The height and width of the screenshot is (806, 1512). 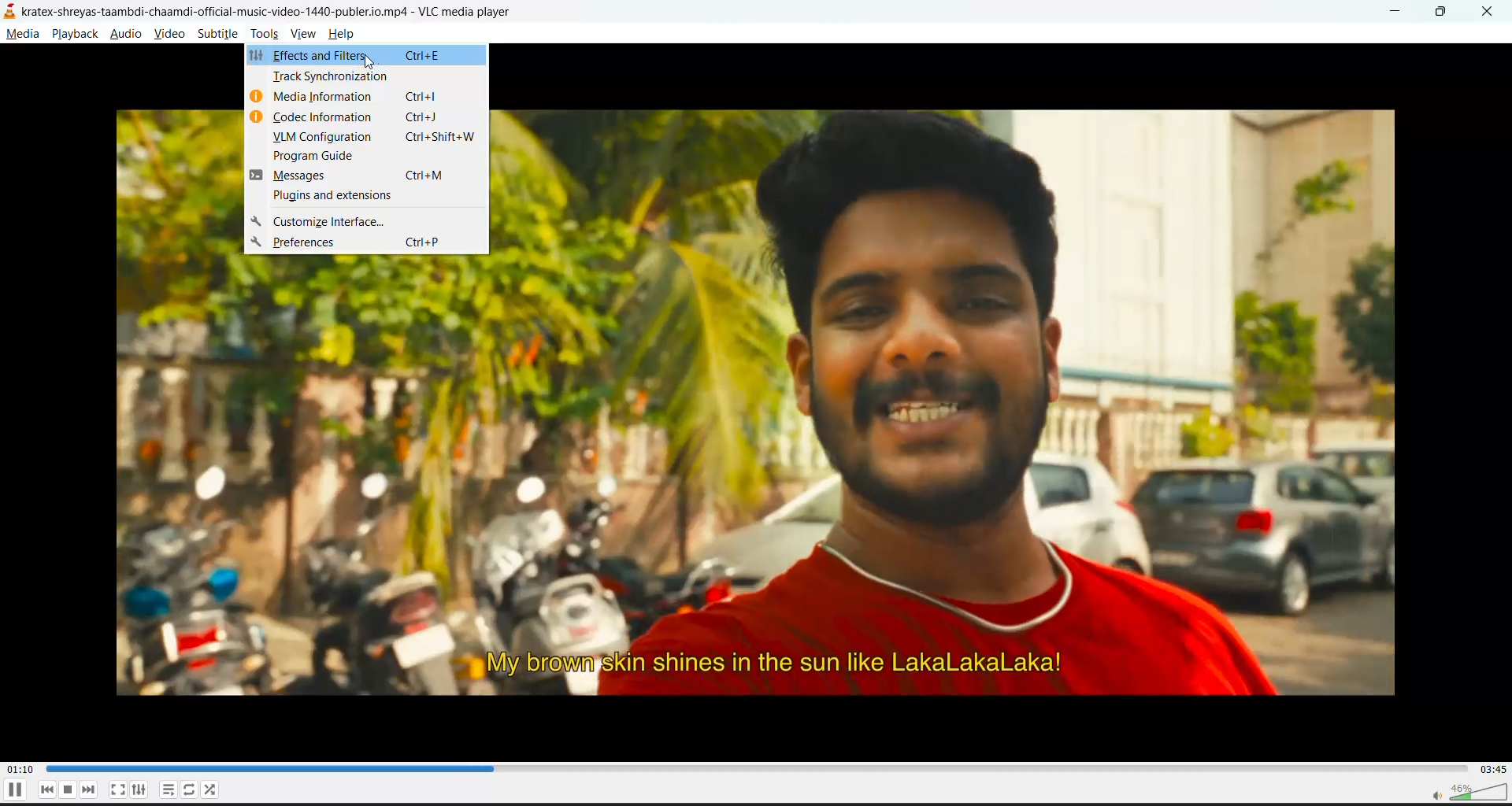 I want to click on video, so click(x=171, y=35).